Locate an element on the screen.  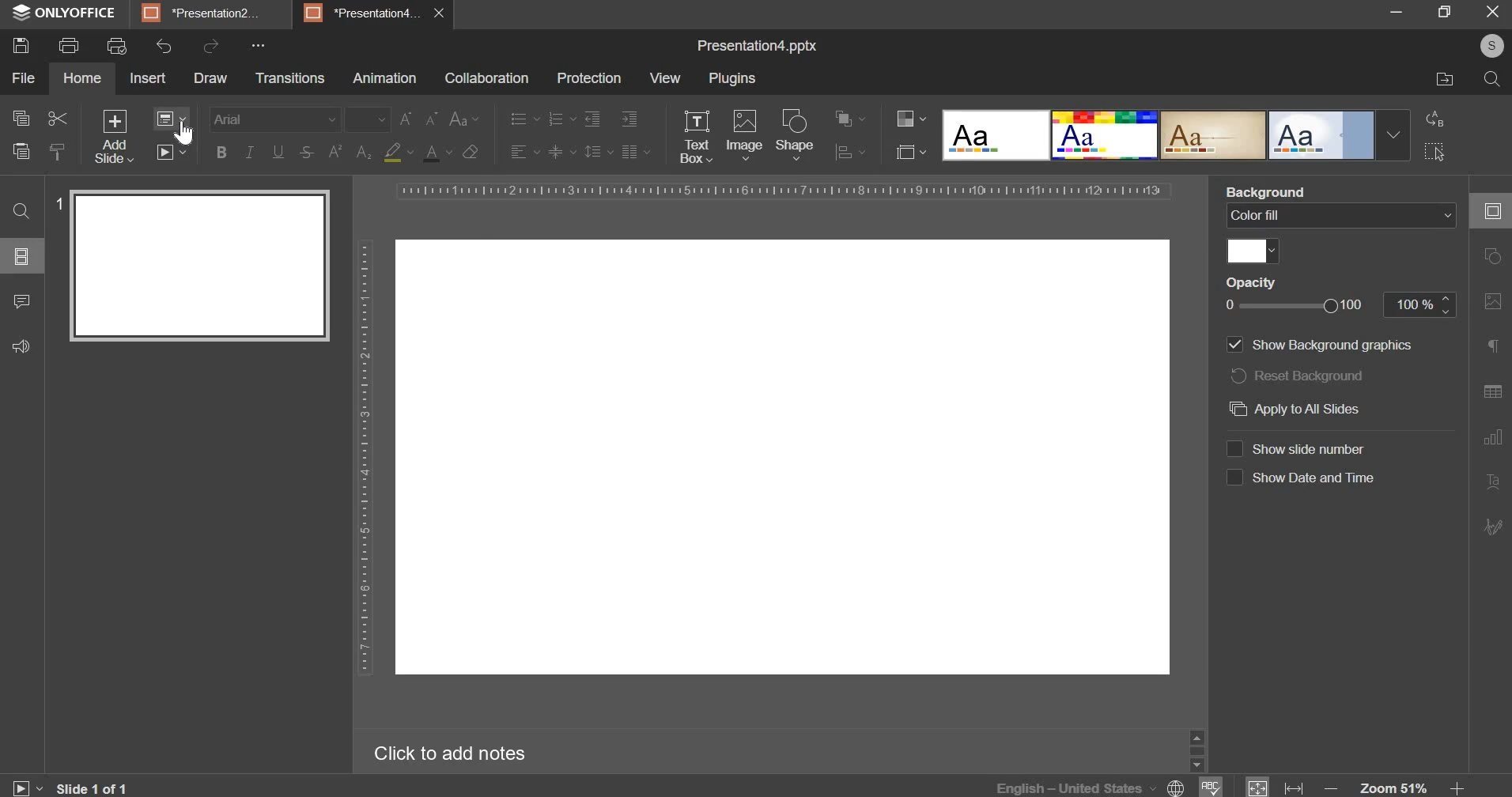
comments is located at coordinates (22, 301).